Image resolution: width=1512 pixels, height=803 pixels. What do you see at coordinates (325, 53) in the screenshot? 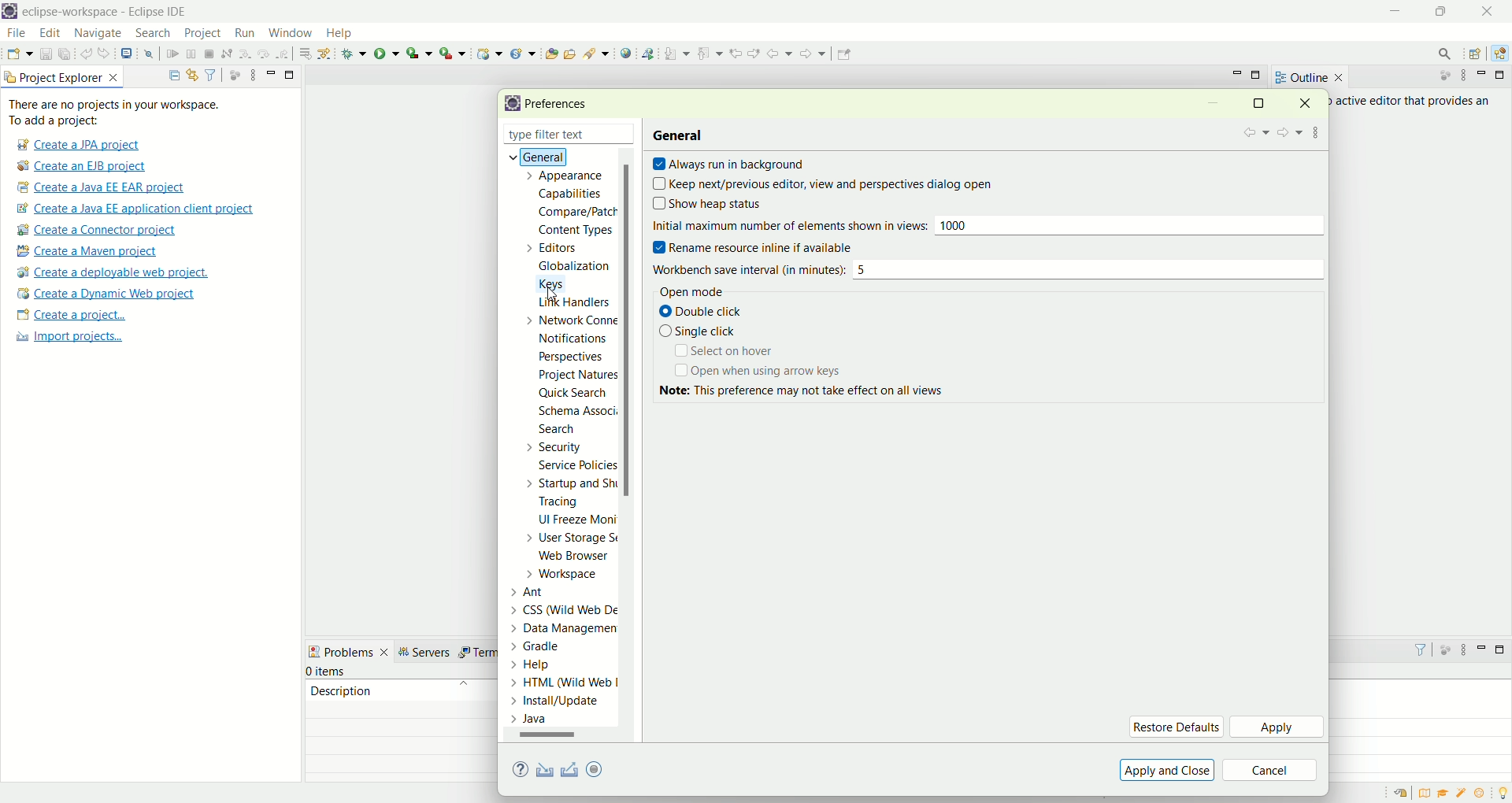
I see `use step filters` at bounding box center [325, 53].